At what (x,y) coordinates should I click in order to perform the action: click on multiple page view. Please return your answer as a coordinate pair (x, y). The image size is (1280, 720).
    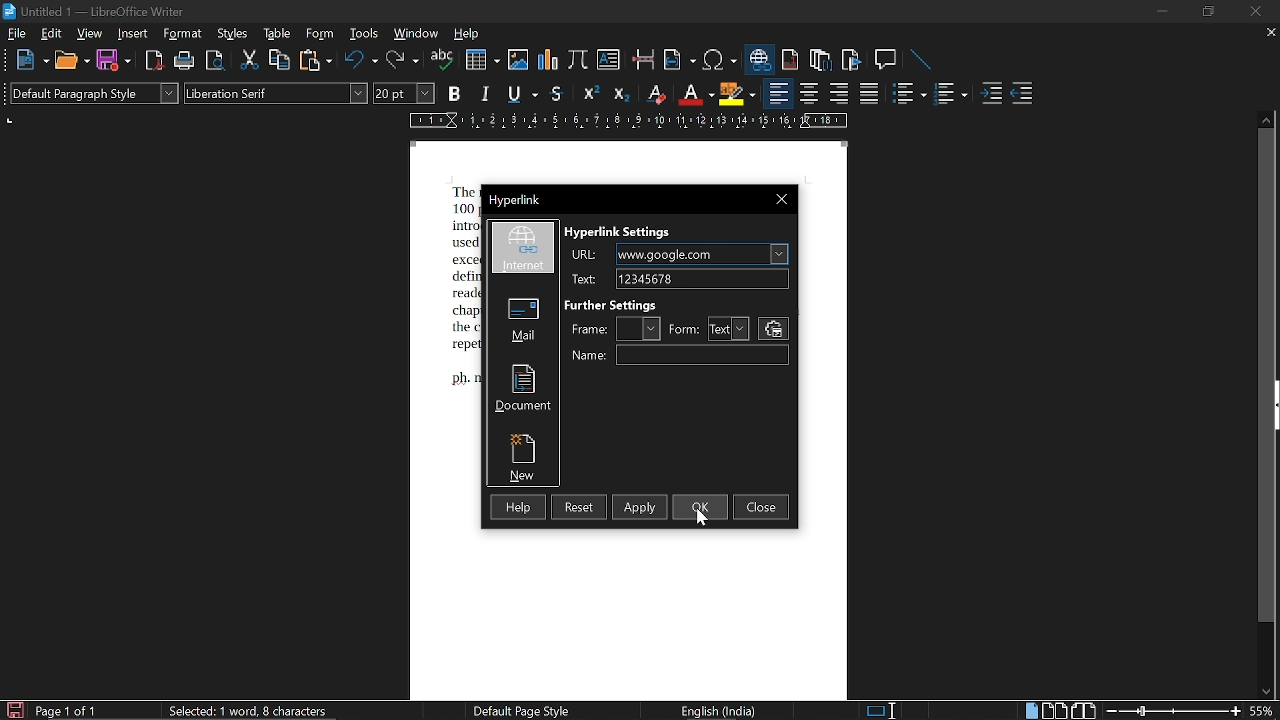
    Looking at the image, I should click on (1055, 711).